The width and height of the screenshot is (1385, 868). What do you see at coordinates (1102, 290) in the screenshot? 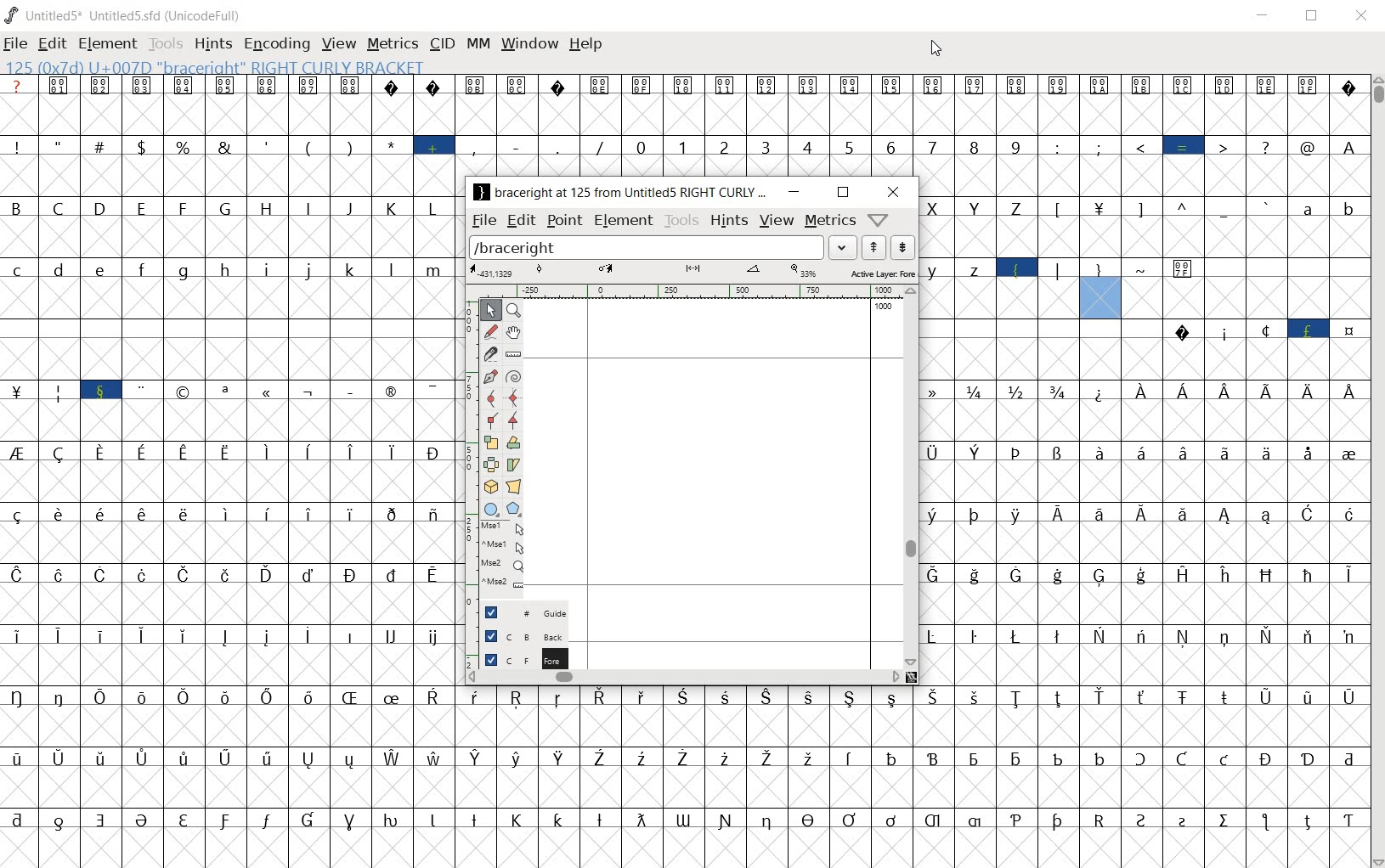
I see `125 (0X7b) U+007D "braceright" RIGHT CURLY BRACKET` at bounding box center [1102, 290].